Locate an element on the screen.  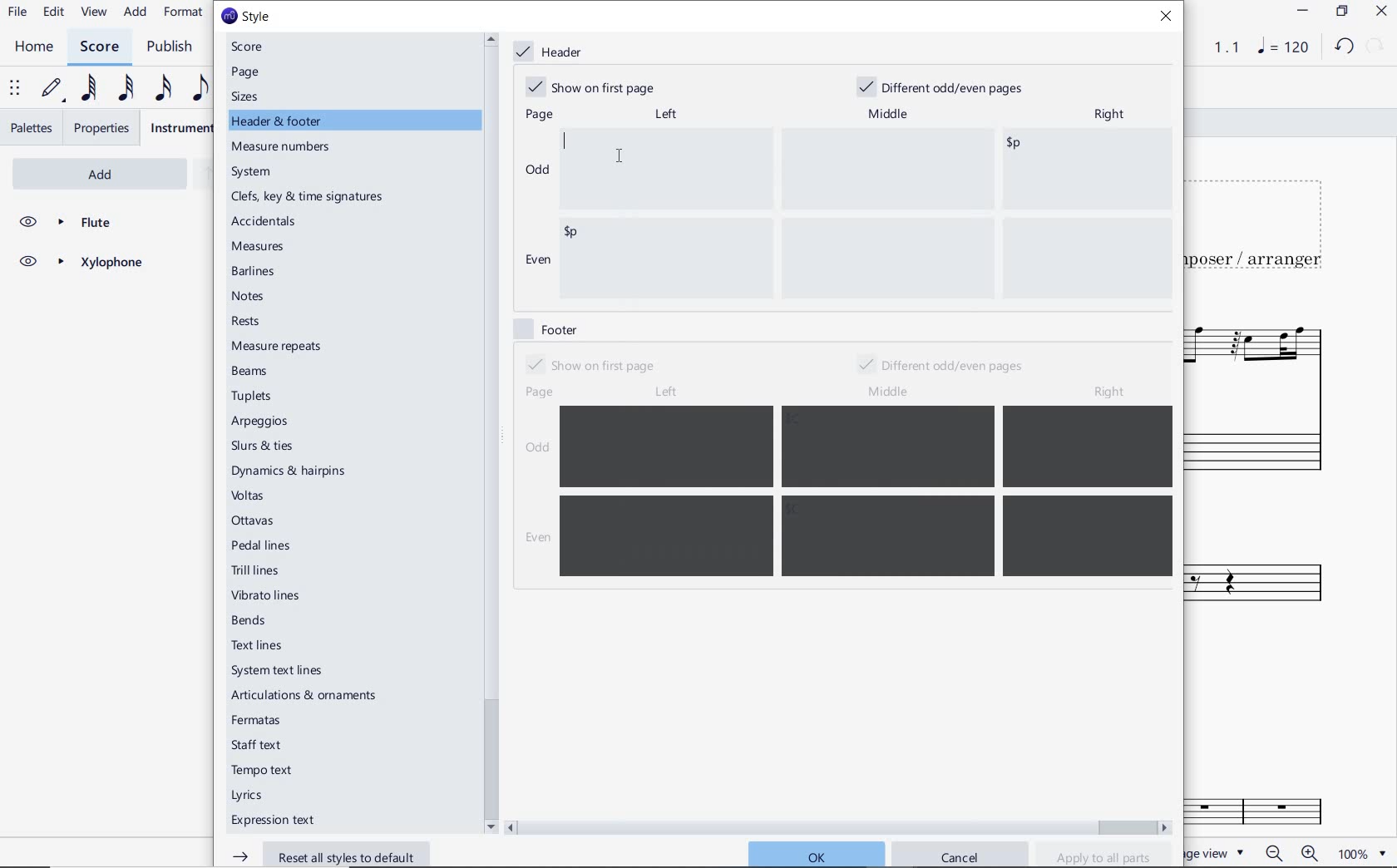
scrollbar is located at coordinates (839, 826).